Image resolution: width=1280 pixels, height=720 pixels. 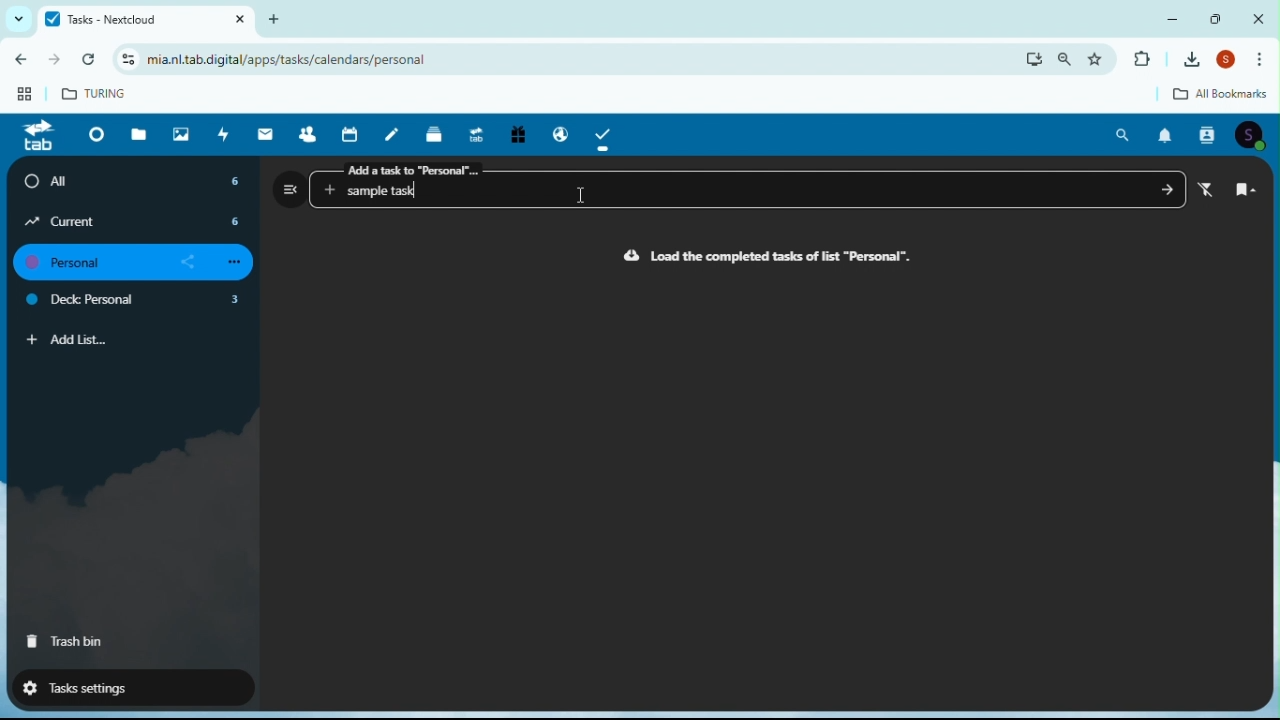 What do you see at coordinates (1265, 60) in the screenshot?
I see `Moor options` at bounding box center [1265, 60].